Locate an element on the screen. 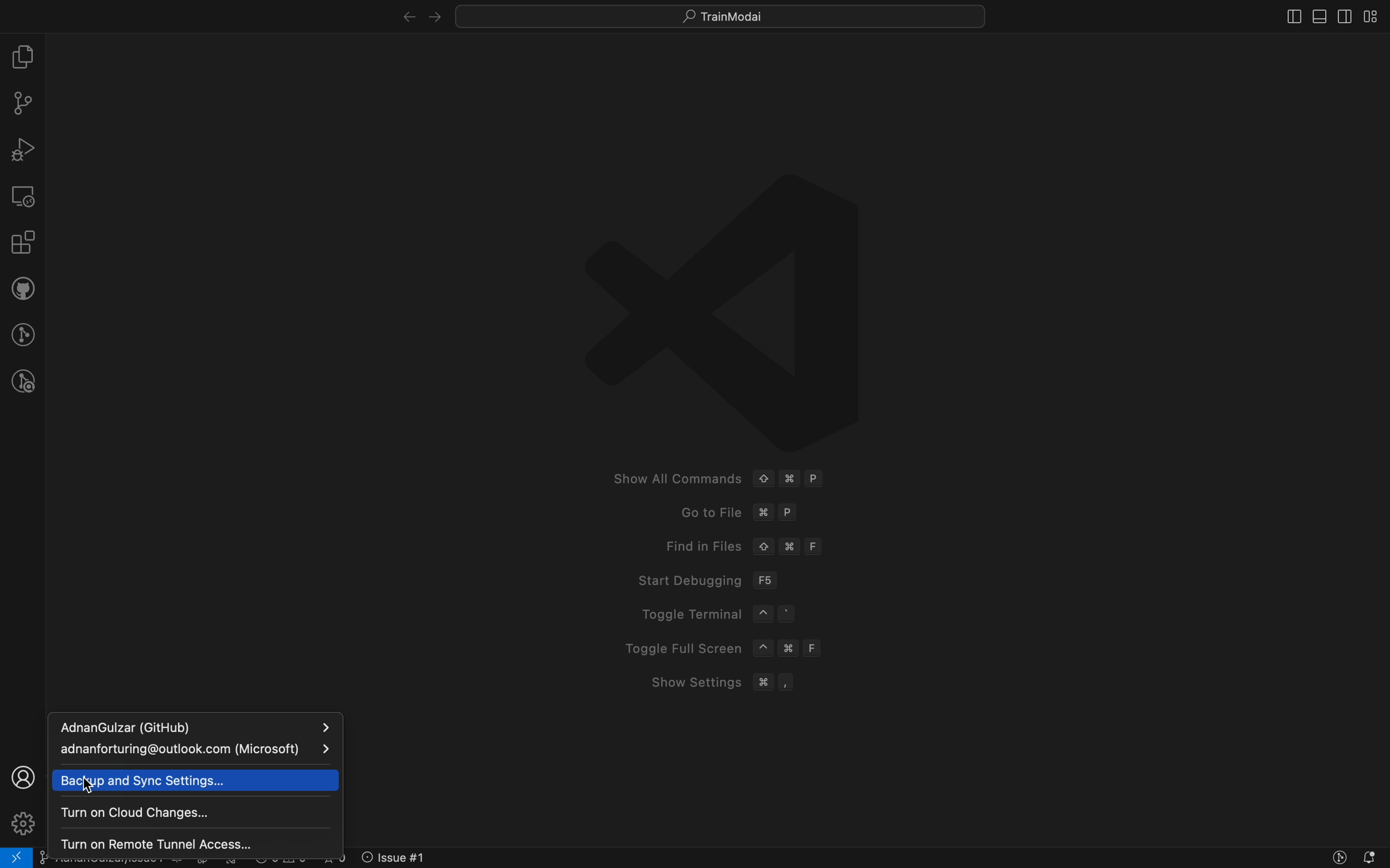  toggle secondary bar is located at coordinates (1344, 16).